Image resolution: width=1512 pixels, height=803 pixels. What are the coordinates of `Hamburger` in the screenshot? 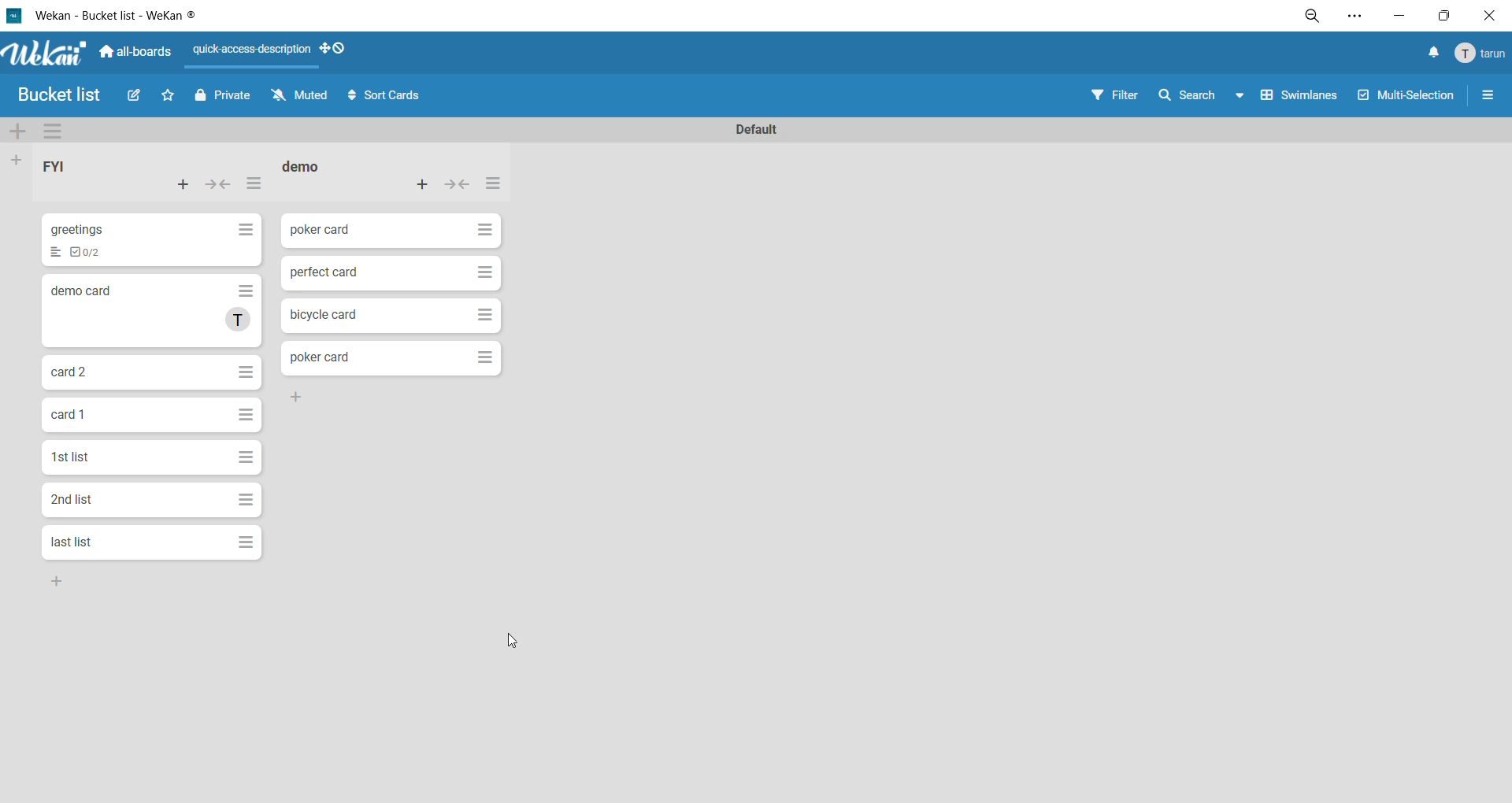 It's located at (245, 416).